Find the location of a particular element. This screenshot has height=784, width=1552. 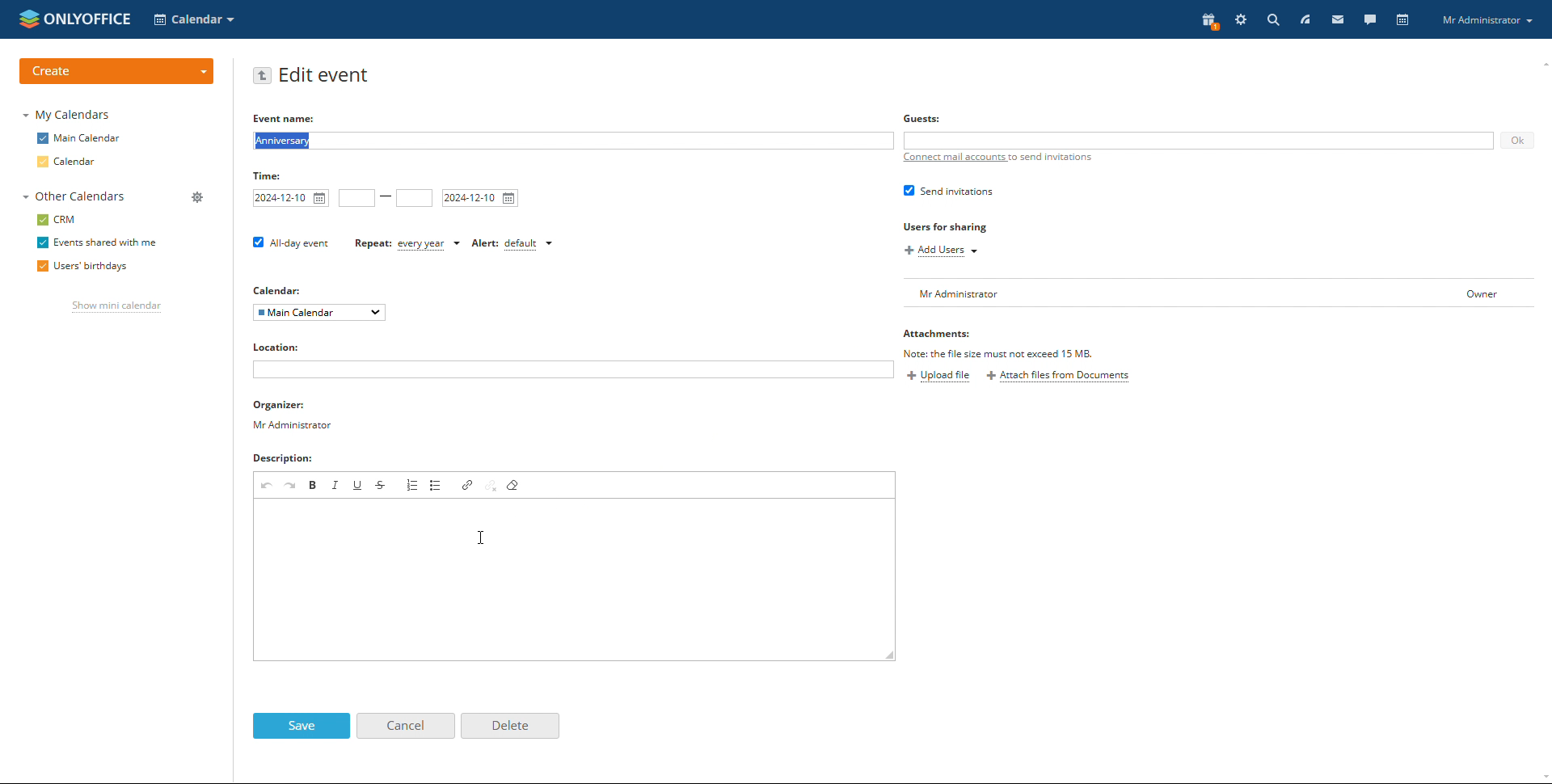

strikethrough is located at coordinates (380, 484).